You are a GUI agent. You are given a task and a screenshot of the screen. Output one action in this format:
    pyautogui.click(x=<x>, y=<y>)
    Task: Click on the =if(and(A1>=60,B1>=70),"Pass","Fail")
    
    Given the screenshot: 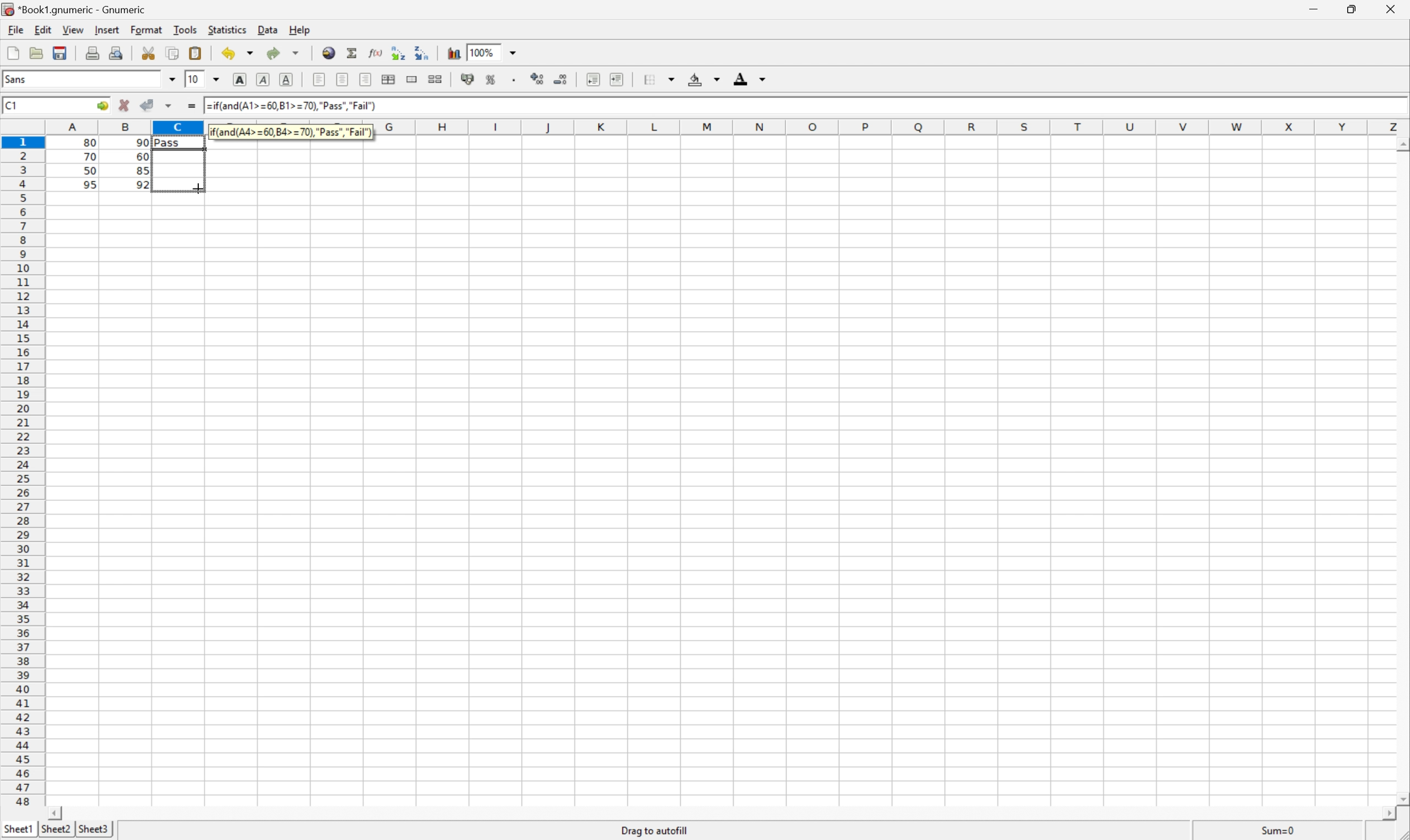 What is the action you would take?
    pyautogui.click(x=300, y=106)
    